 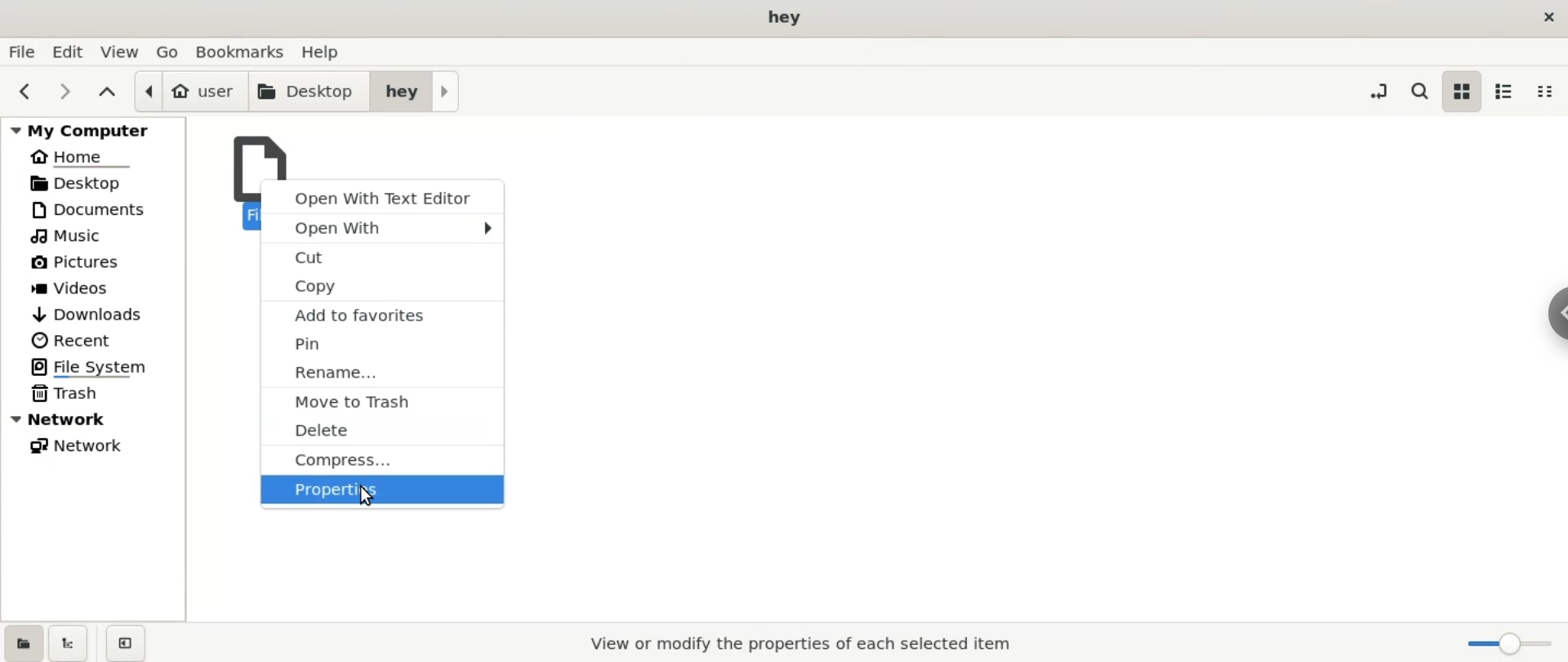 I want to click on compress, so click(x=385, y=460).